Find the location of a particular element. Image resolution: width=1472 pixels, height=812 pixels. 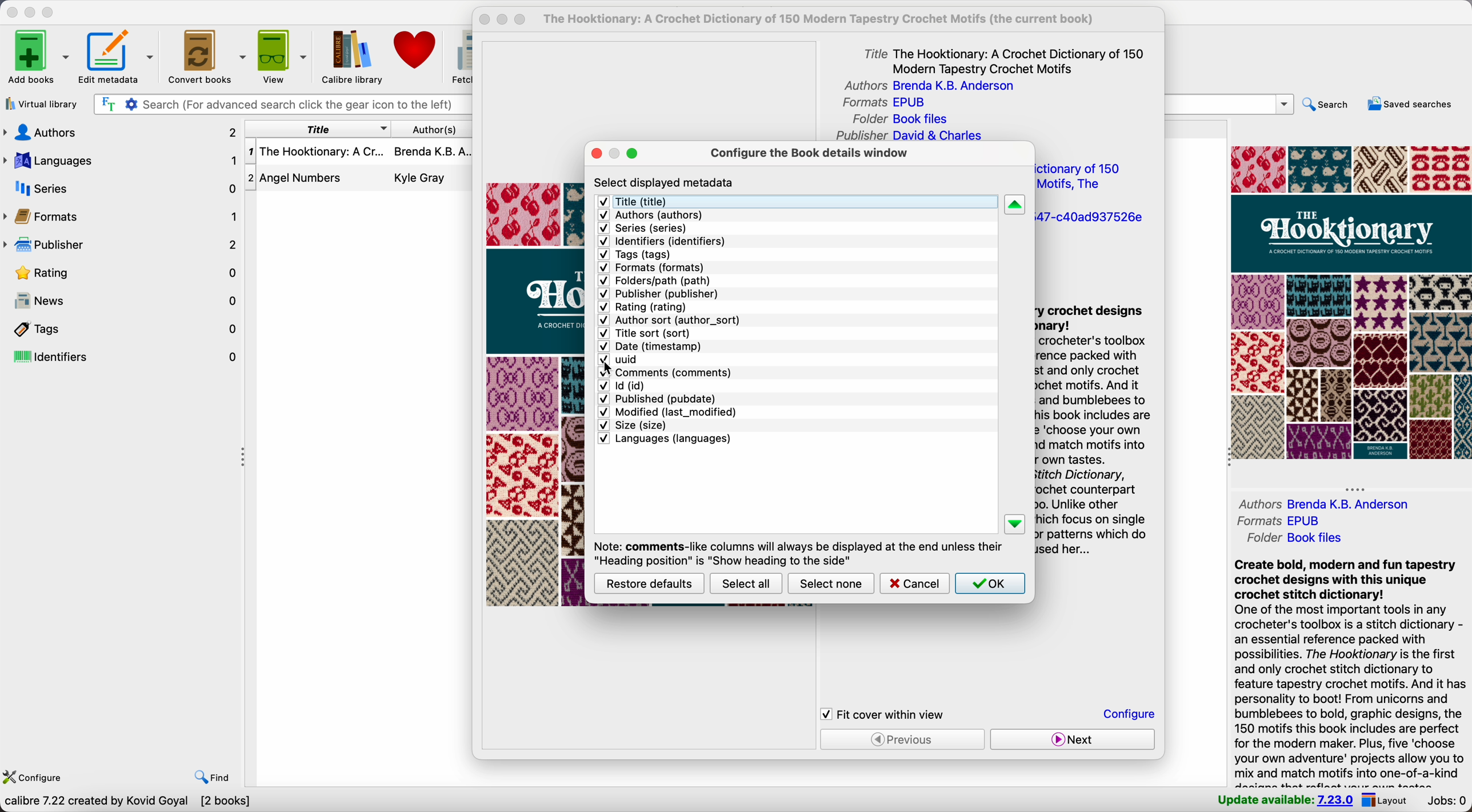

rating is located at coordinates (130, 274).